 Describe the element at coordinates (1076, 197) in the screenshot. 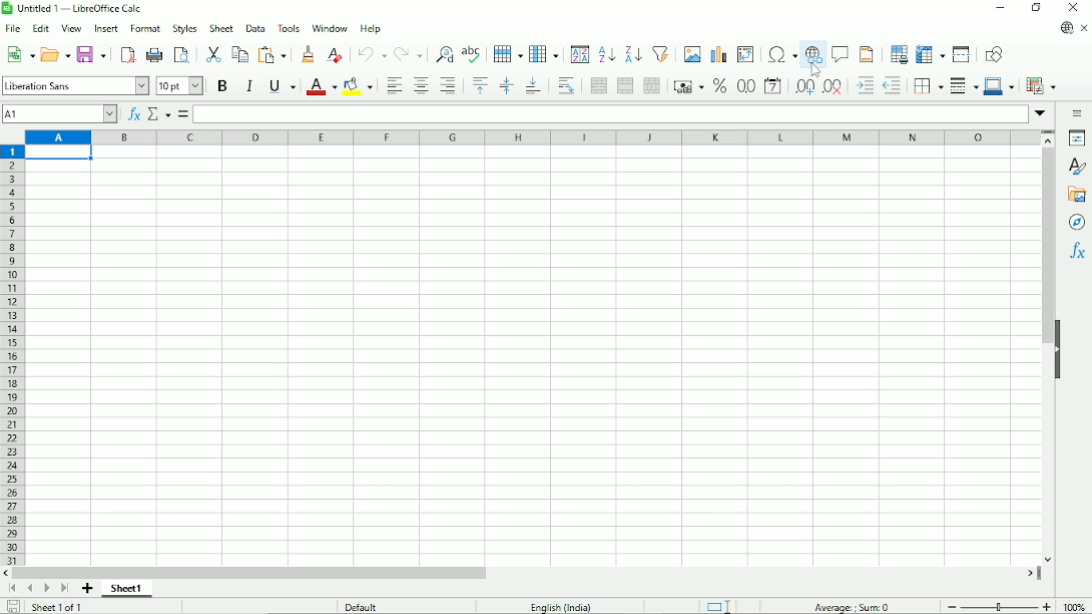

I see `Gallery` at that location.